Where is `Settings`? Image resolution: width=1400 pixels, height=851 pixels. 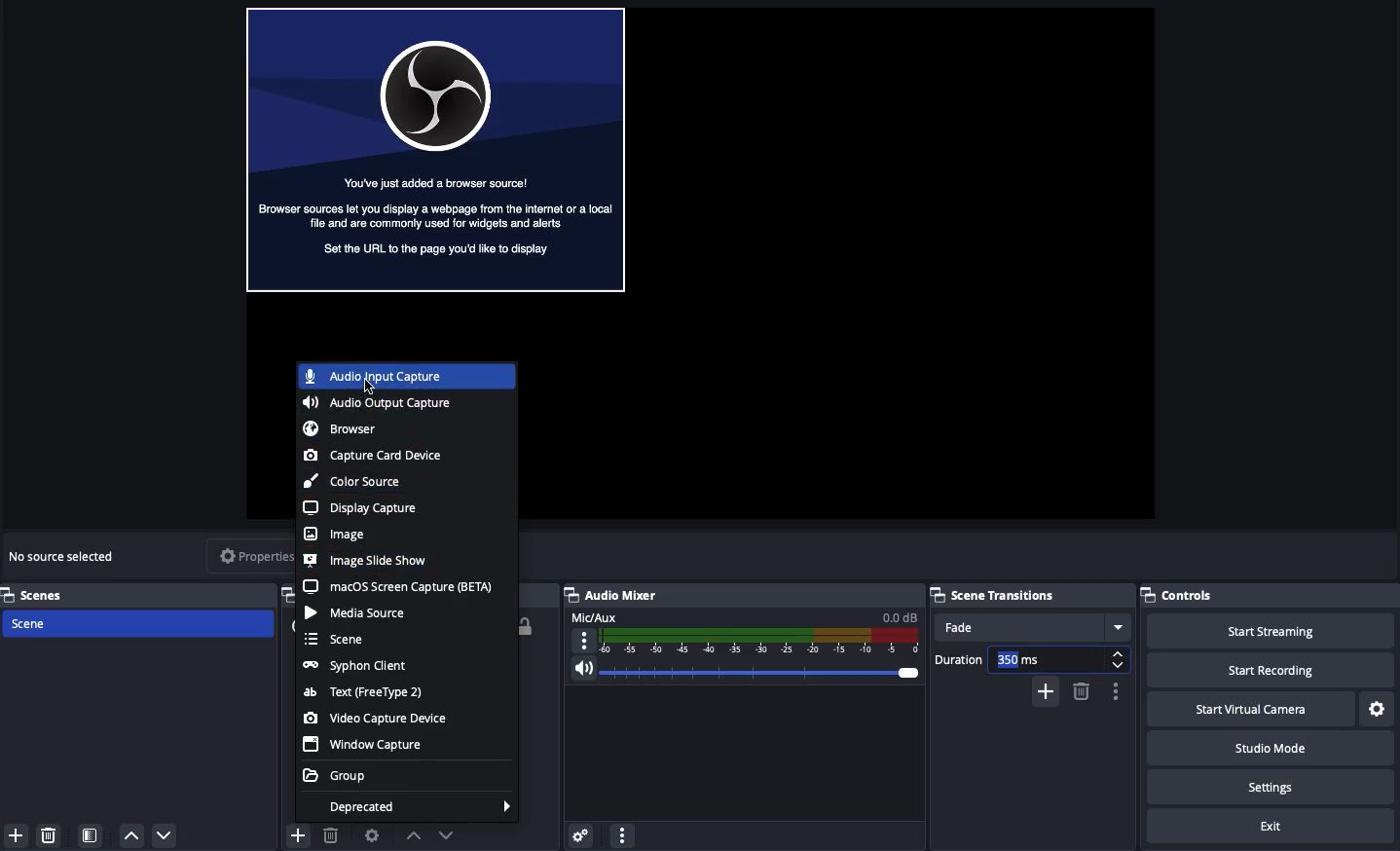
Settings is located at coordinates (1378, 710).